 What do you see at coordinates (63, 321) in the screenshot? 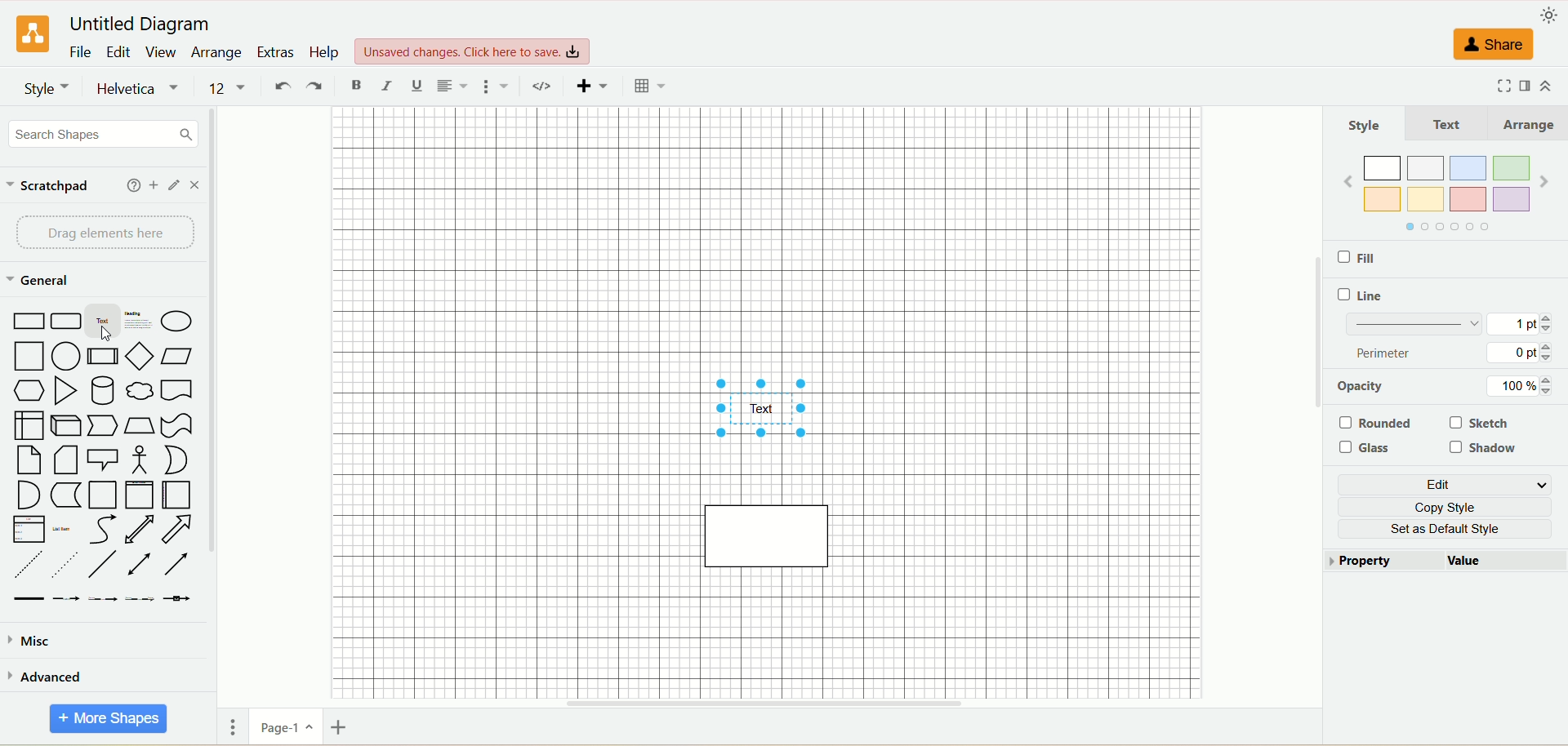
I see `rounded rectangle` at bounding box center [63, 321].